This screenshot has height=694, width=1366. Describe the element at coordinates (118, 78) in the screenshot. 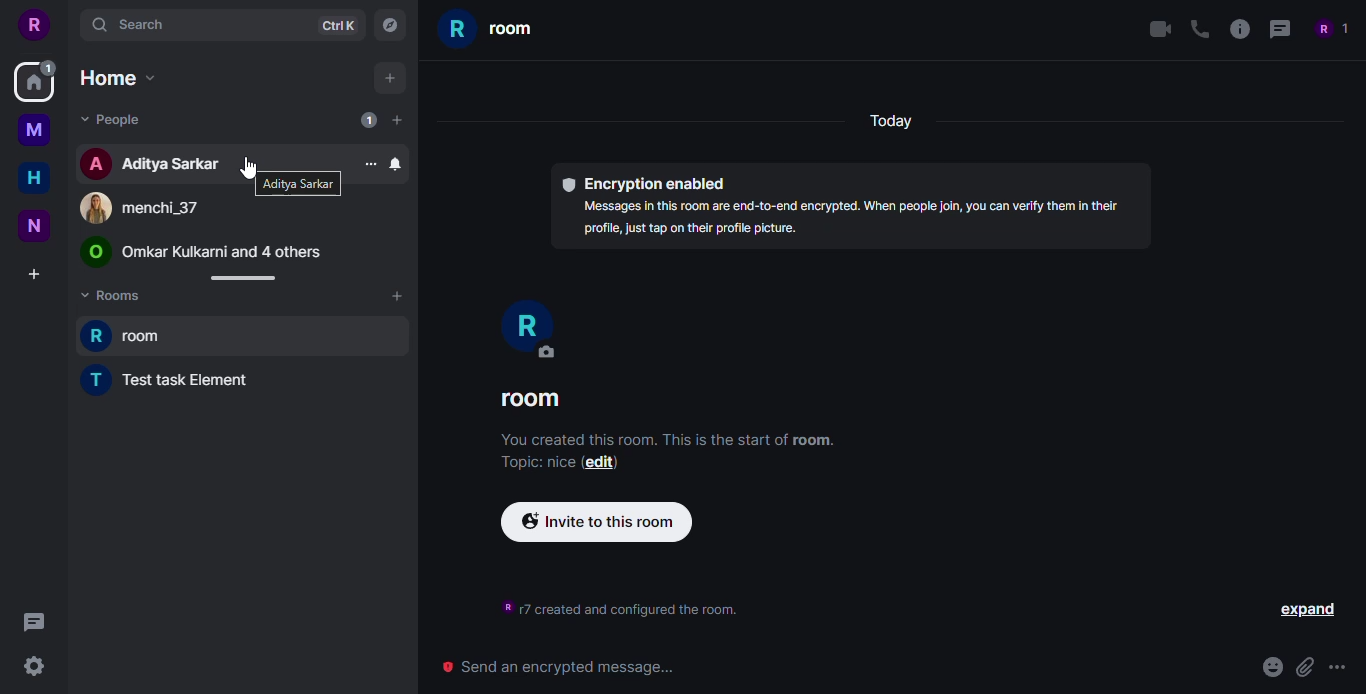

I see `home` at that location.